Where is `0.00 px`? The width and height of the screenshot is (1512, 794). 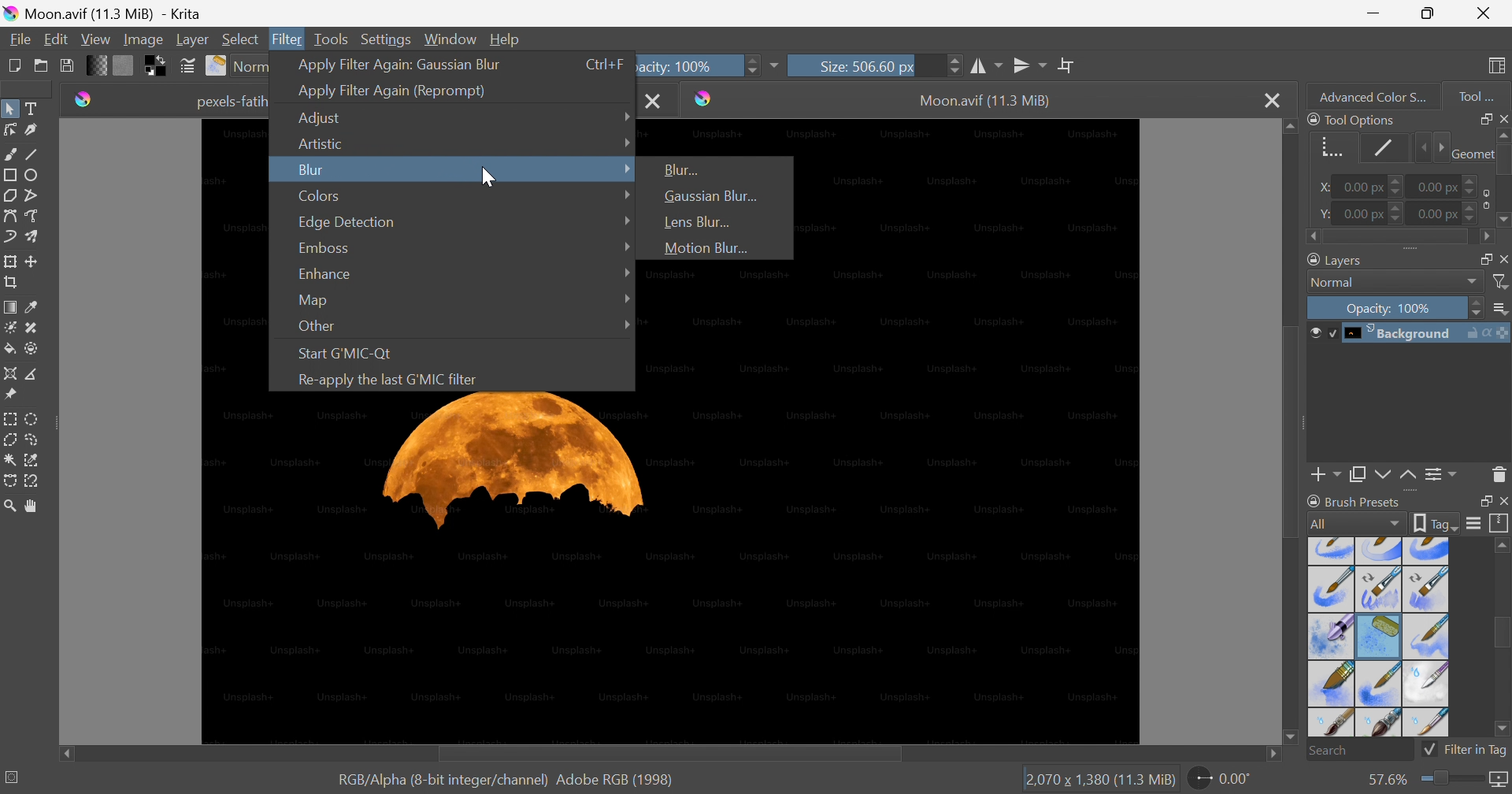 0.00 px is located at coordinates (1451, 213).